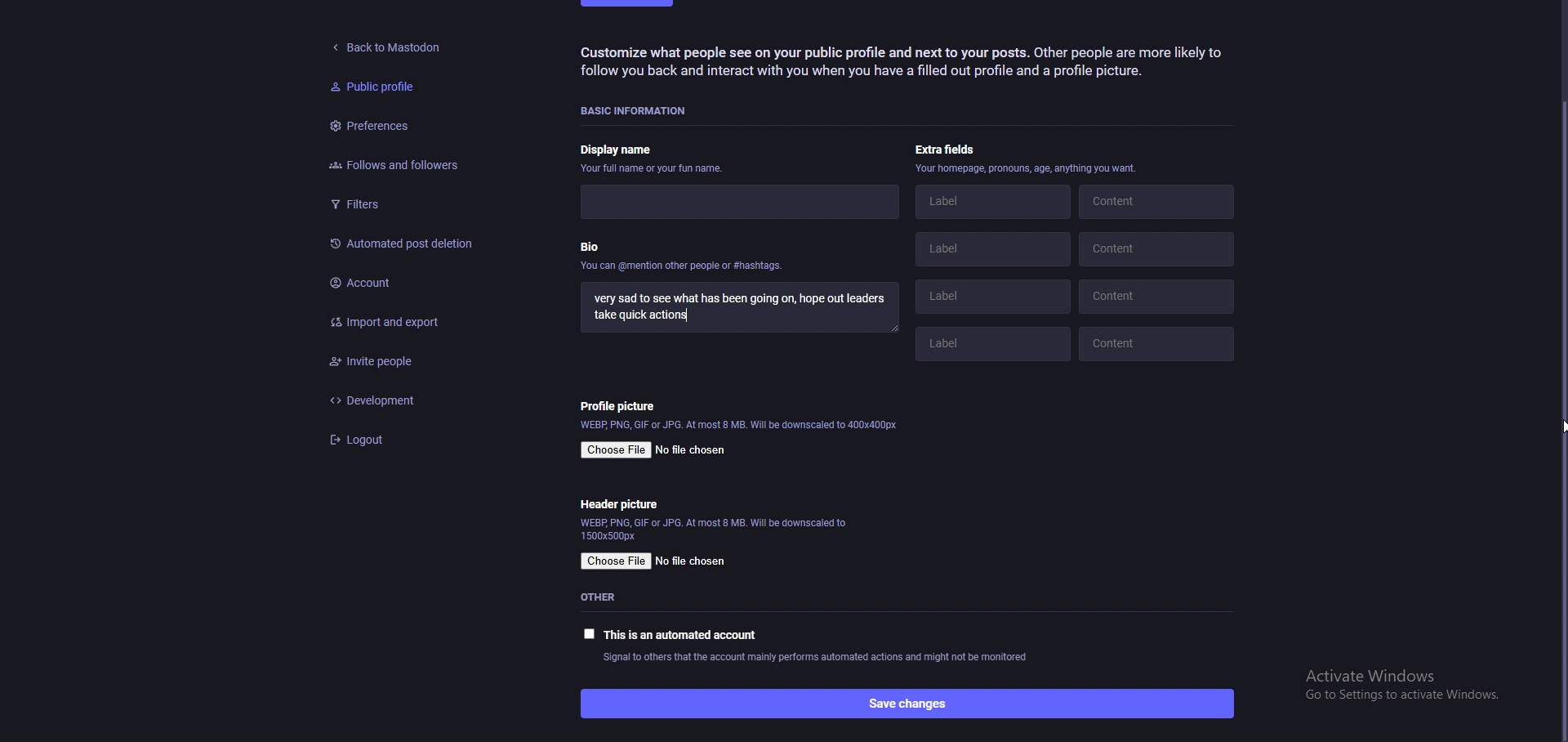 The width and height of the screenshot is (1568, 742). Describe the element at coordinates (404, 318) in the screenshot. I see `Import and export` at that location.